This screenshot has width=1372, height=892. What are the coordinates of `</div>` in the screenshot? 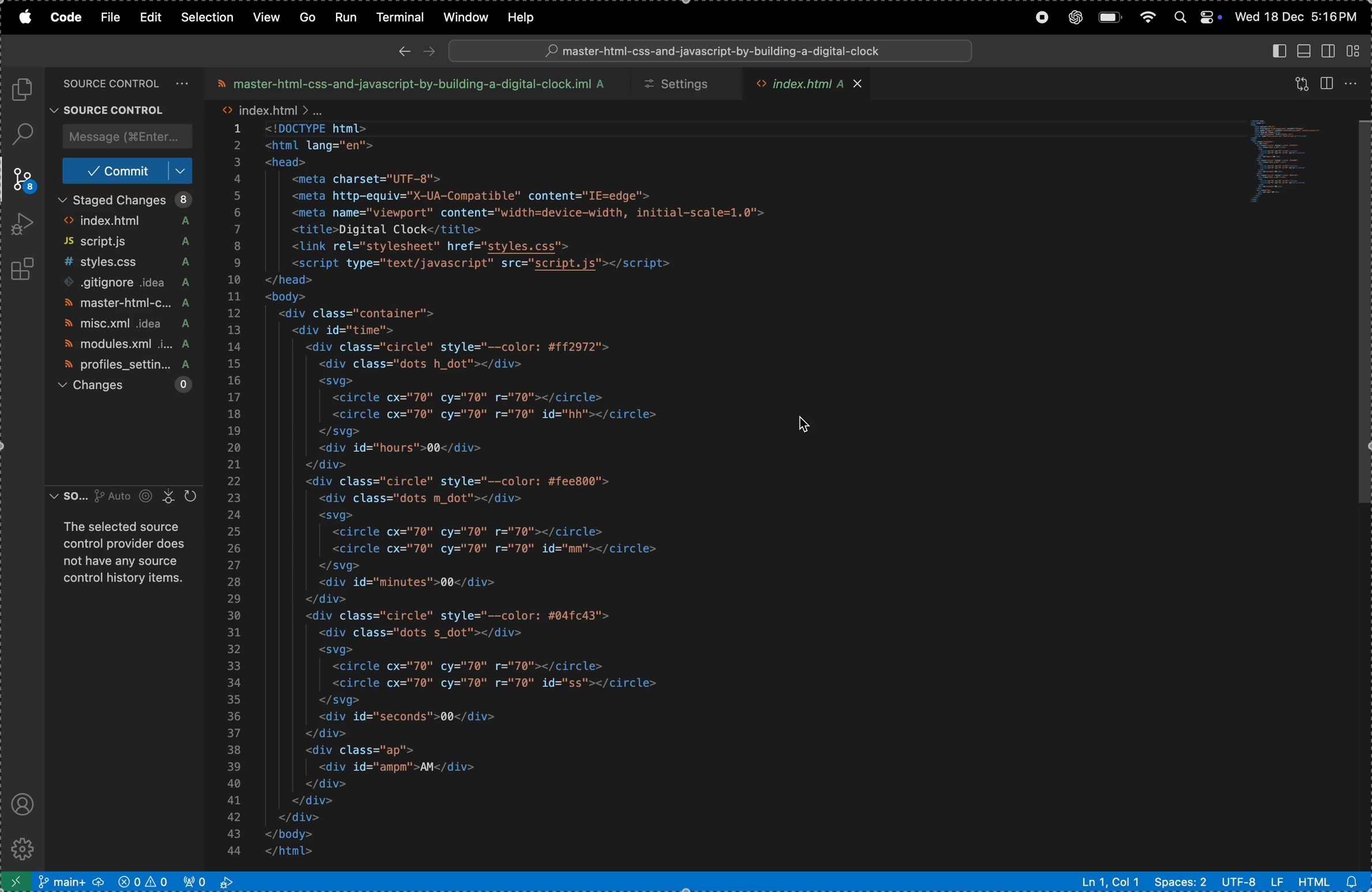 It's located at (326, 734).